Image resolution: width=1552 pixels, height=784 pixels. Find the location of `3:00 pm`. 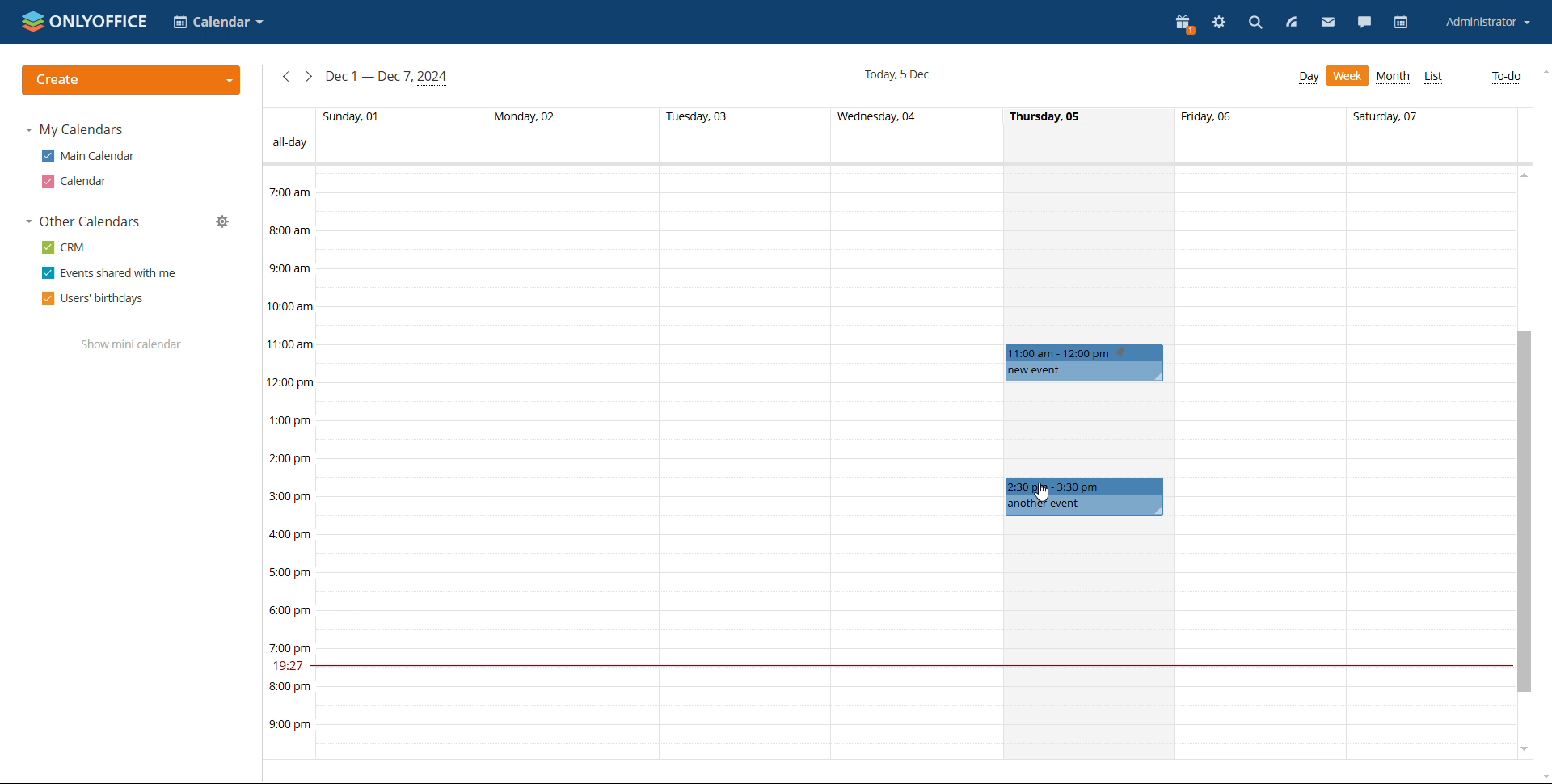

3:00 pm is located at coordinates (288, 496).